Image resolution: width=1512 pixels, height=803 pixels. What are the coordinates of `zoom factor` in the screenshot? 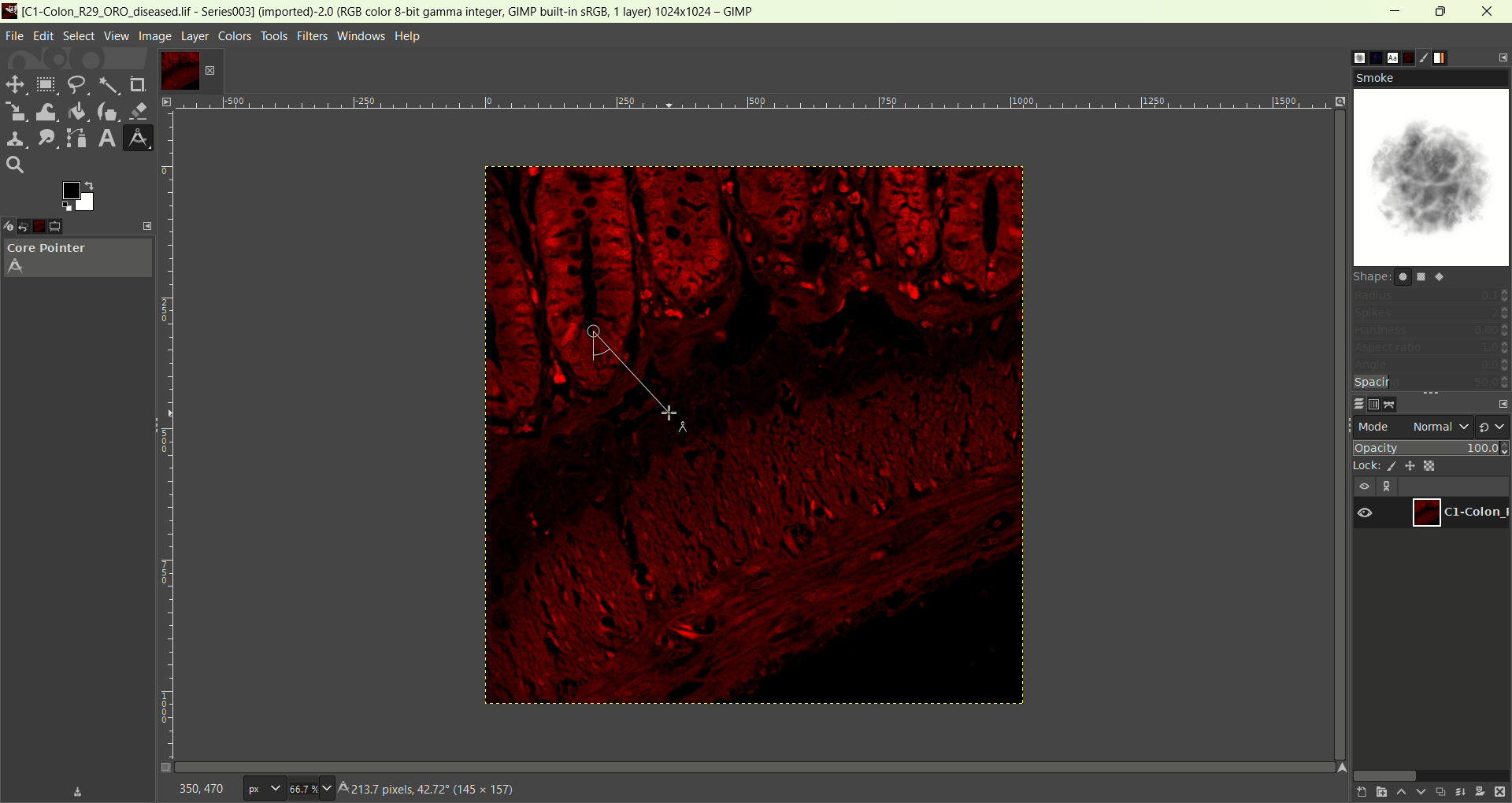 It's located at (312, 787).